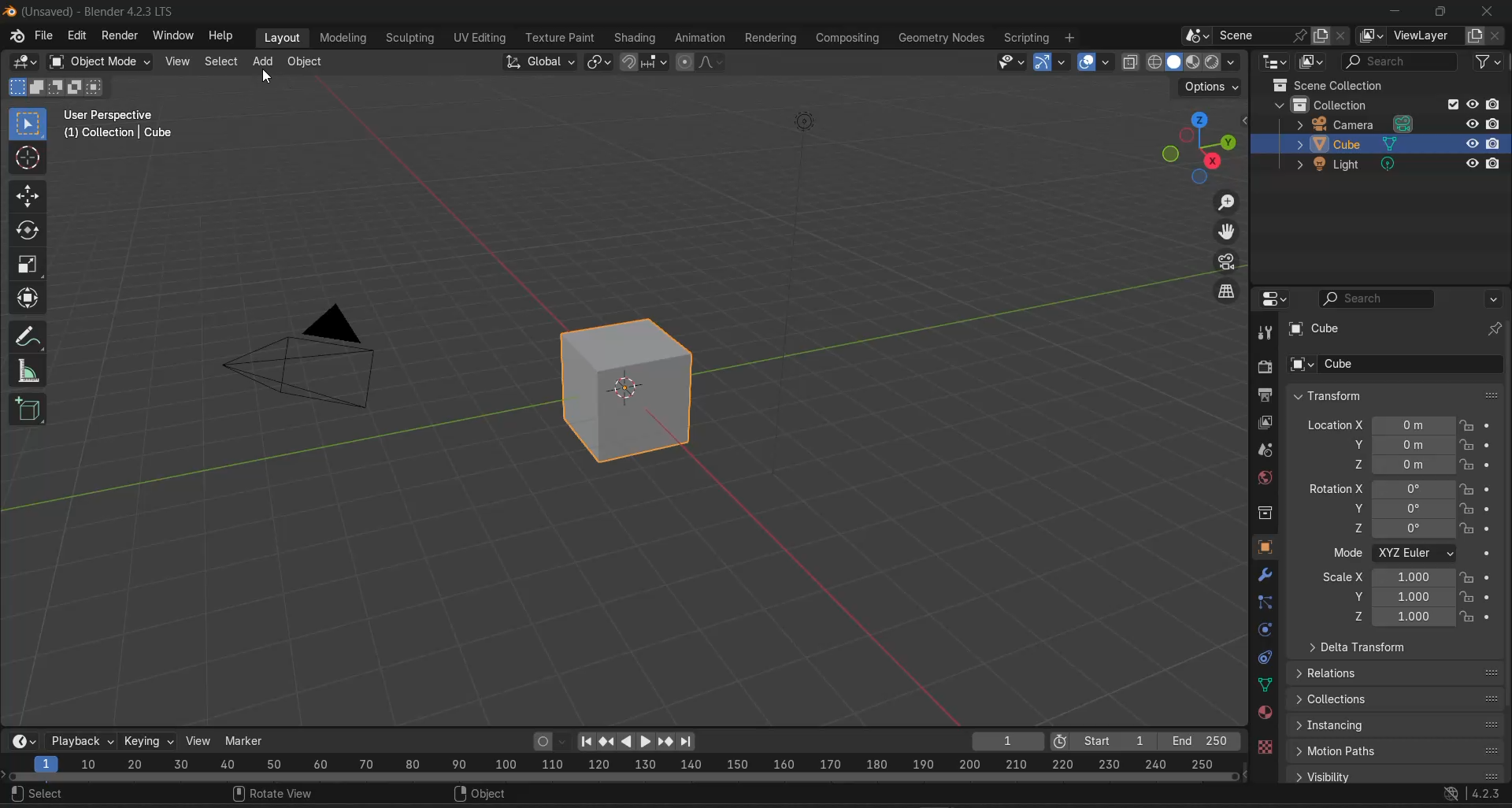 The height and width of the screenshot is (808, 1512). Describe the element at coordinates (1263, 685) in the screenshot. I see `data` at that location.